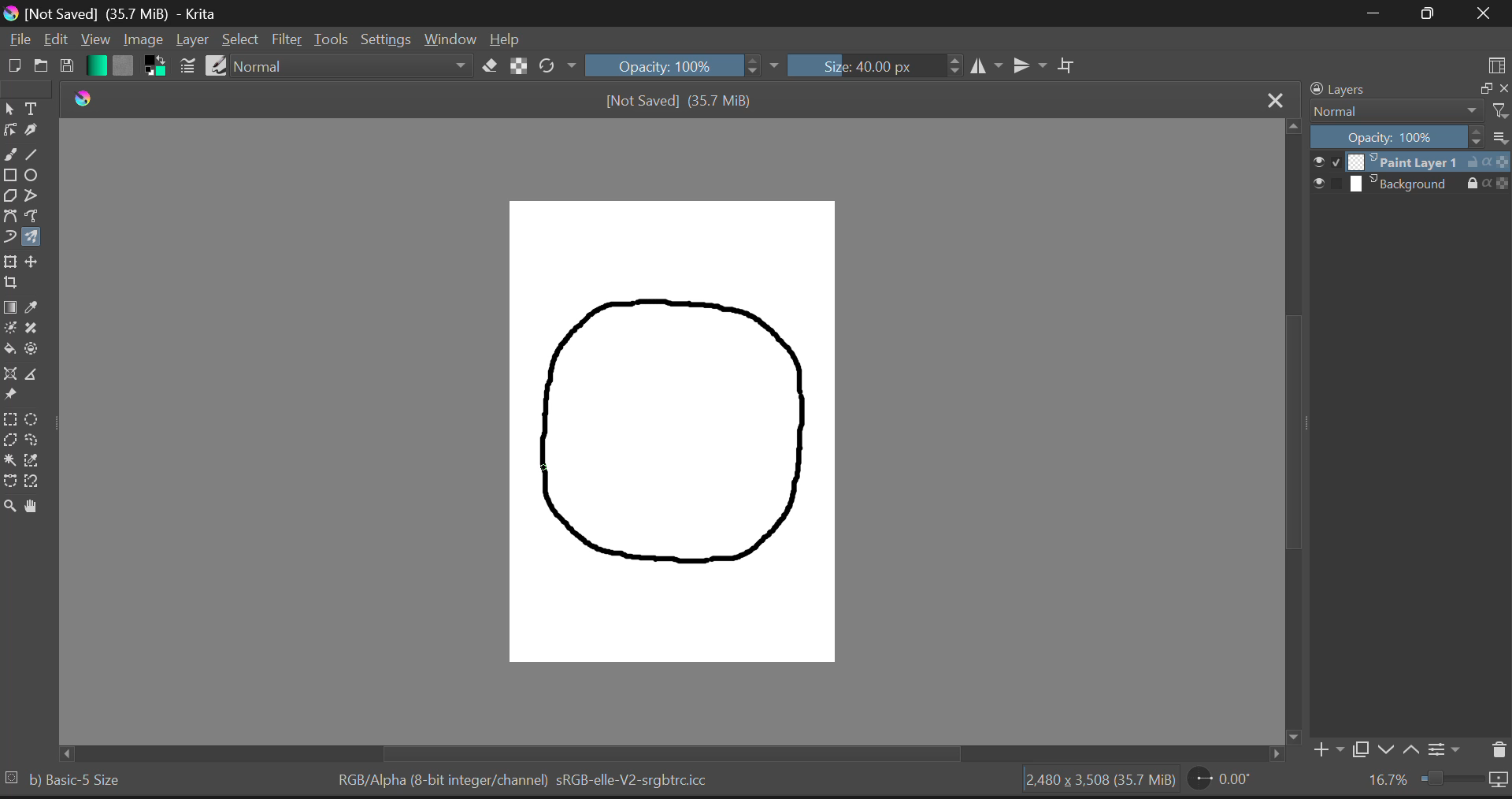 This screenshot has height=799, width=1512. What do you see at coordinates (192, 40) in the screenshot?
I see `Layer` at bounding box center [192, 40].